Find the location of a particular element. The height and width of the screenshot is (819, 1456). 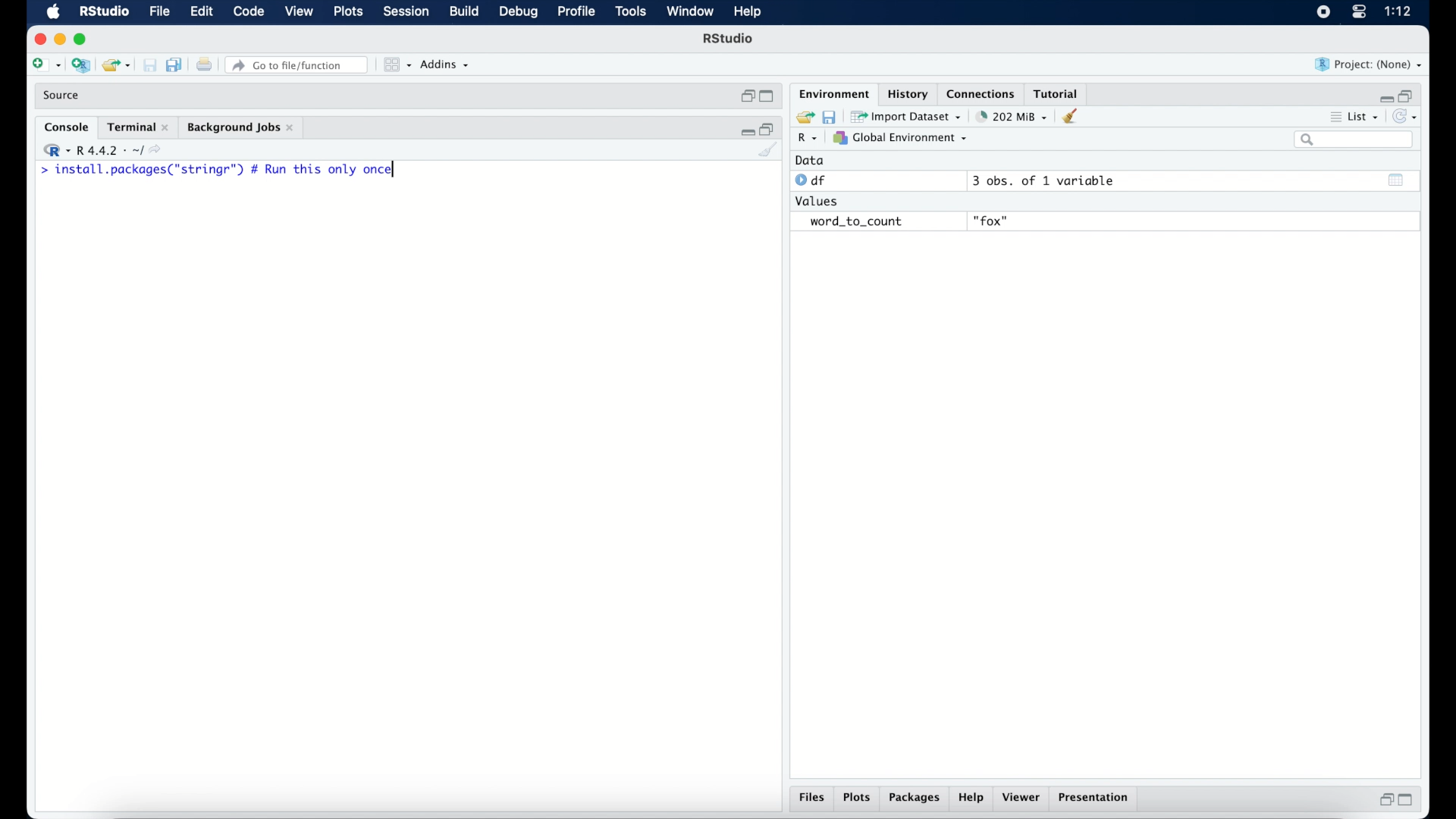

minimize is located at coordinates (745, 130).